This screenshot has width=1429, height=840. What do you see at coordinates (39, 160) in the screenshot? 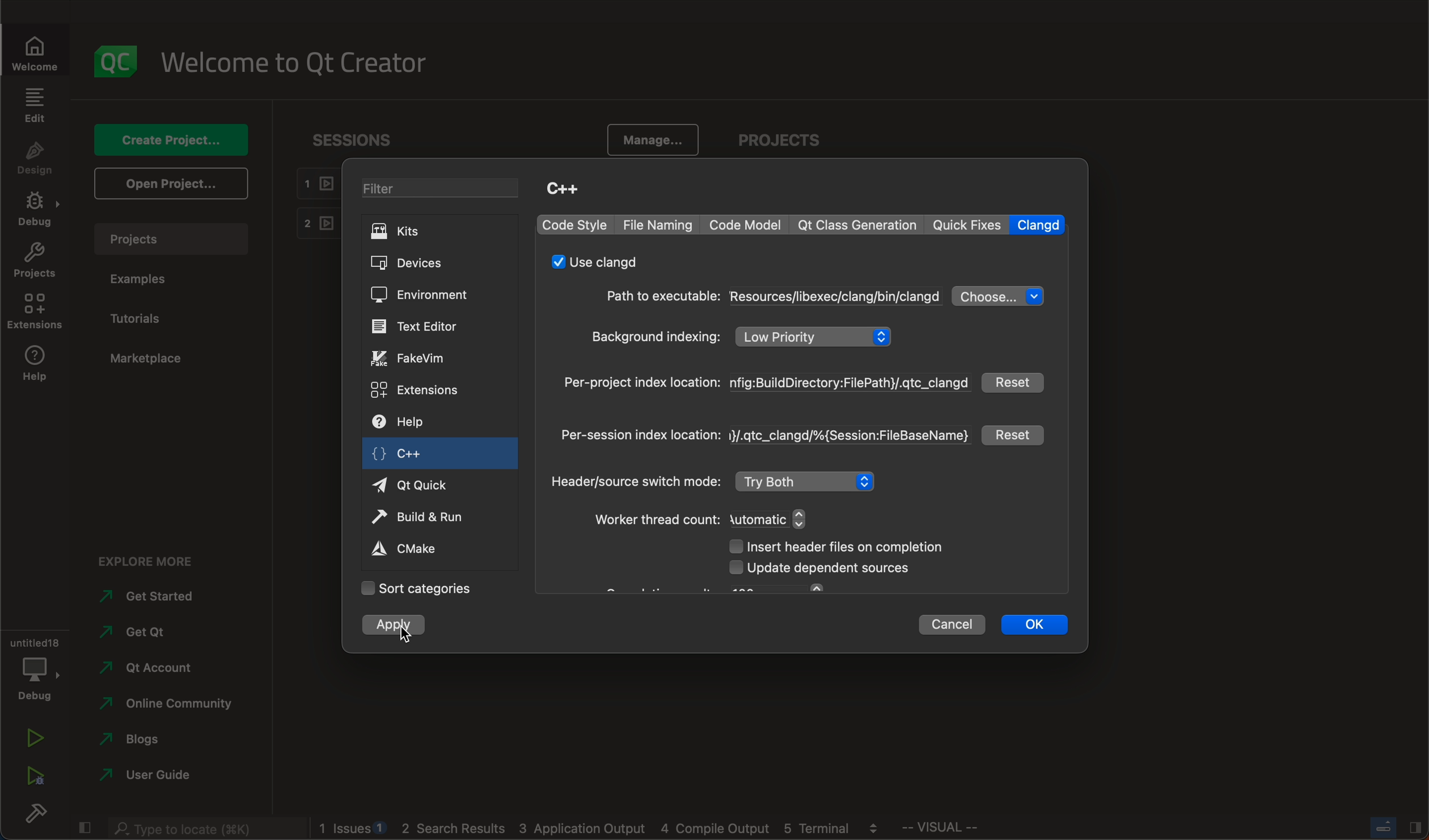
I see `design` at bounding box center [39, 160].